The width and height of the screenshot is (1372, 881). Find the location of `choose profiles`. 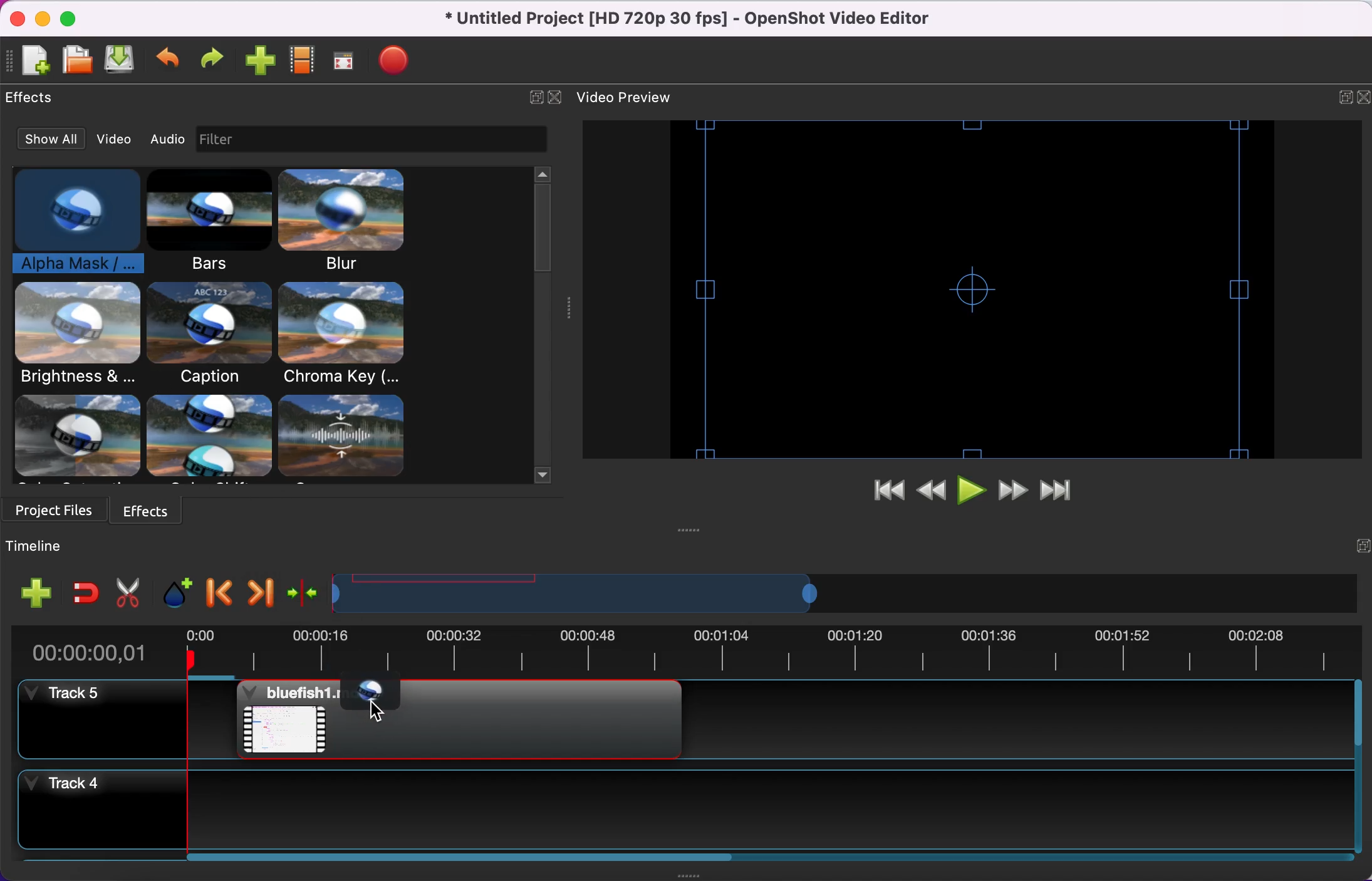

choose profiles is located at coordinates (304, 64).